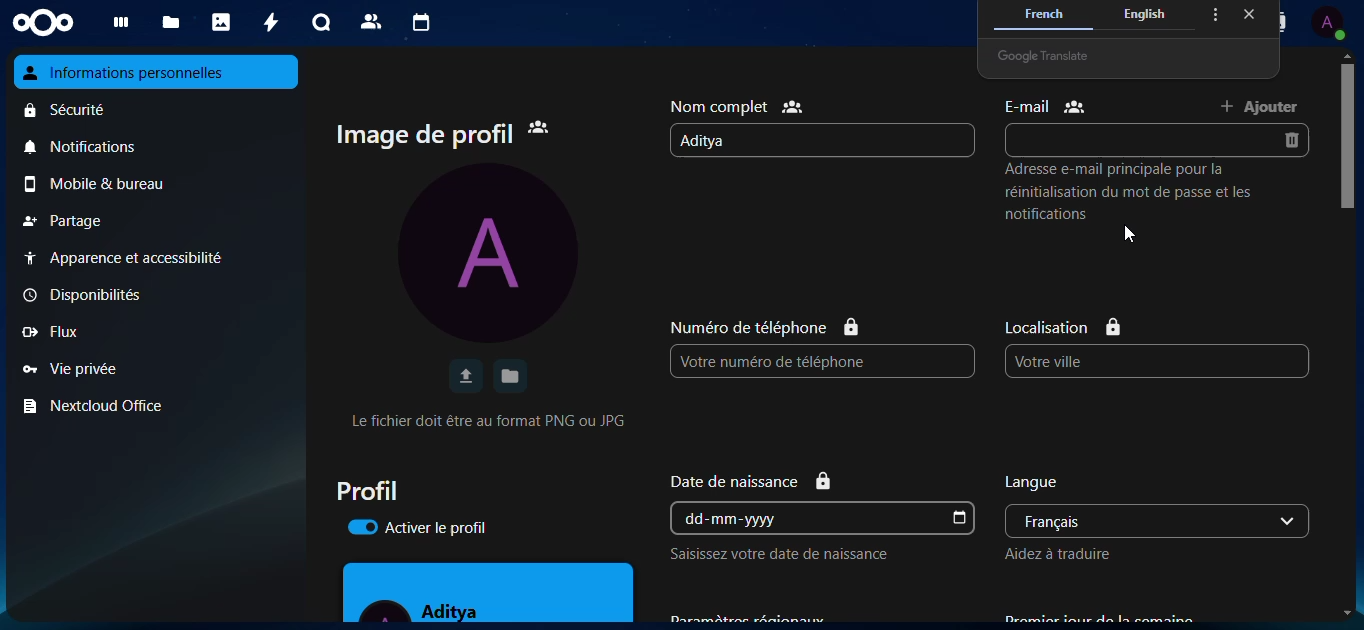 This screenshot has width=1364, height=630. I want to click on information personnelles, so click(160, 73).